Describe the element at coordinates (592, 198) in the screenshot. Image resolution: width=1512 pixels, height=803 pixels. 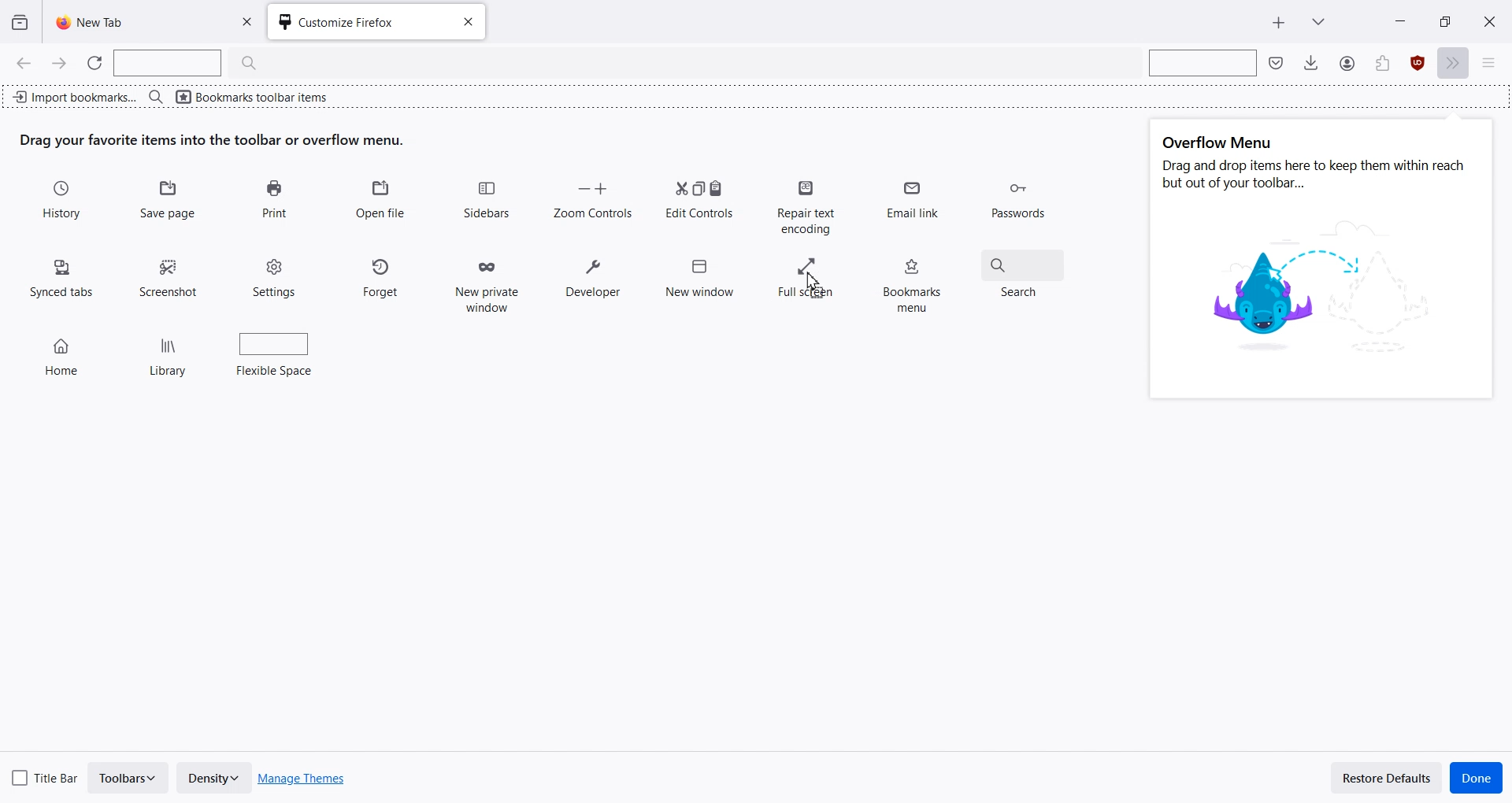
I see `Zoom Controls` at that location.